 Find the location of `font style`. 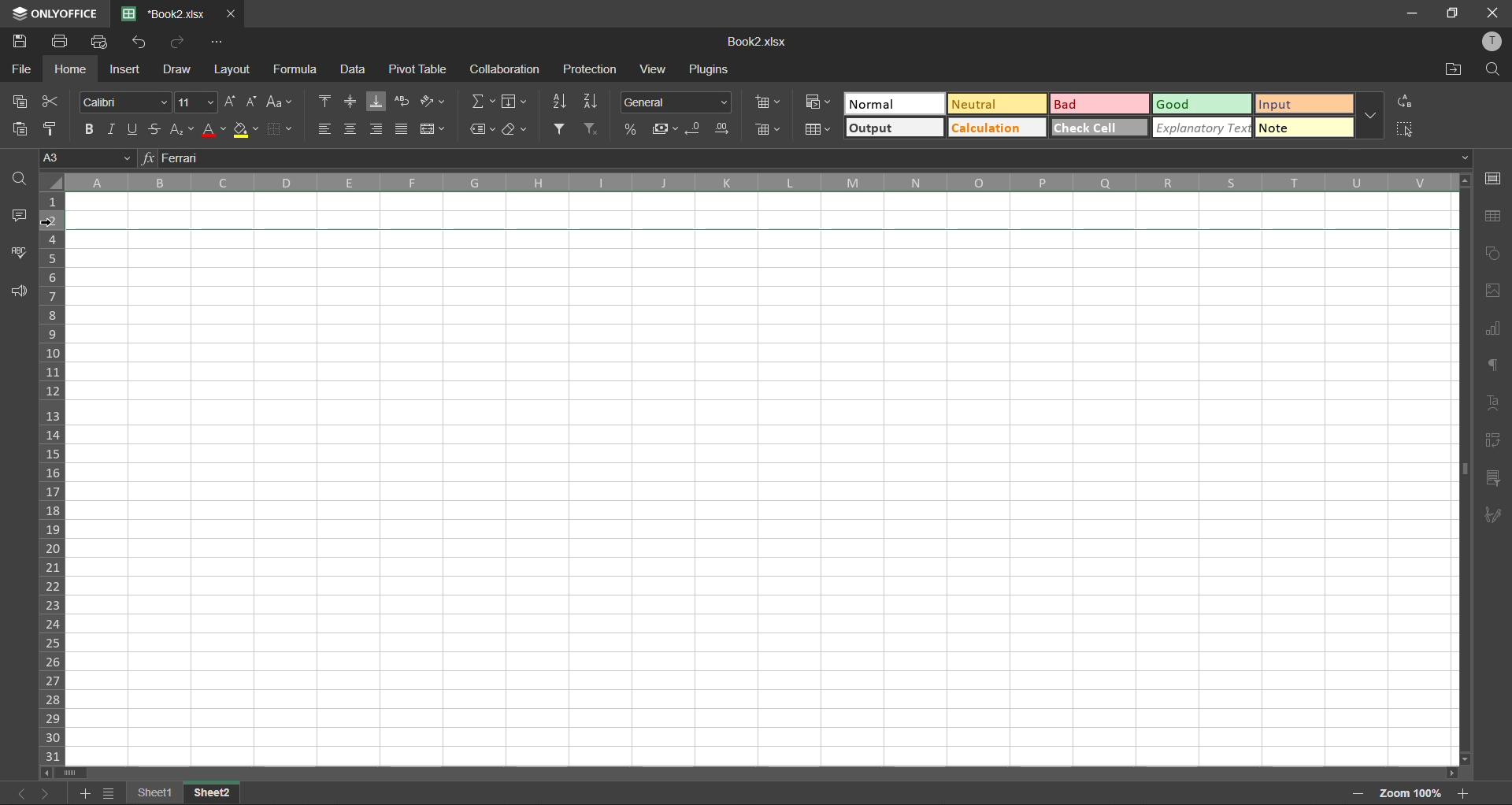

font style is located at coordinates (129, 100).